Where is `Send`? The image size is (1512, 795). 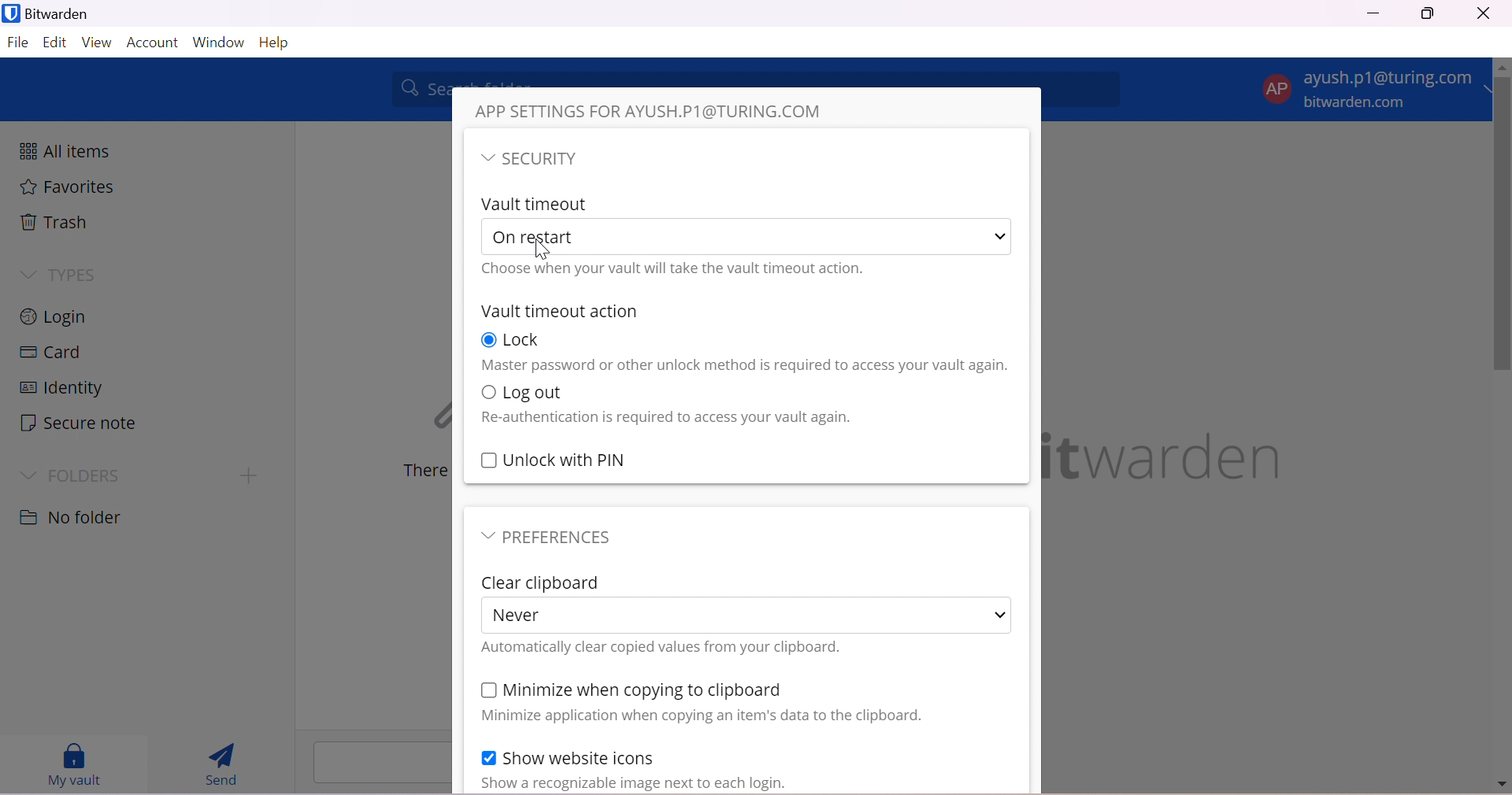
Send is located at coordinates (220, 764).